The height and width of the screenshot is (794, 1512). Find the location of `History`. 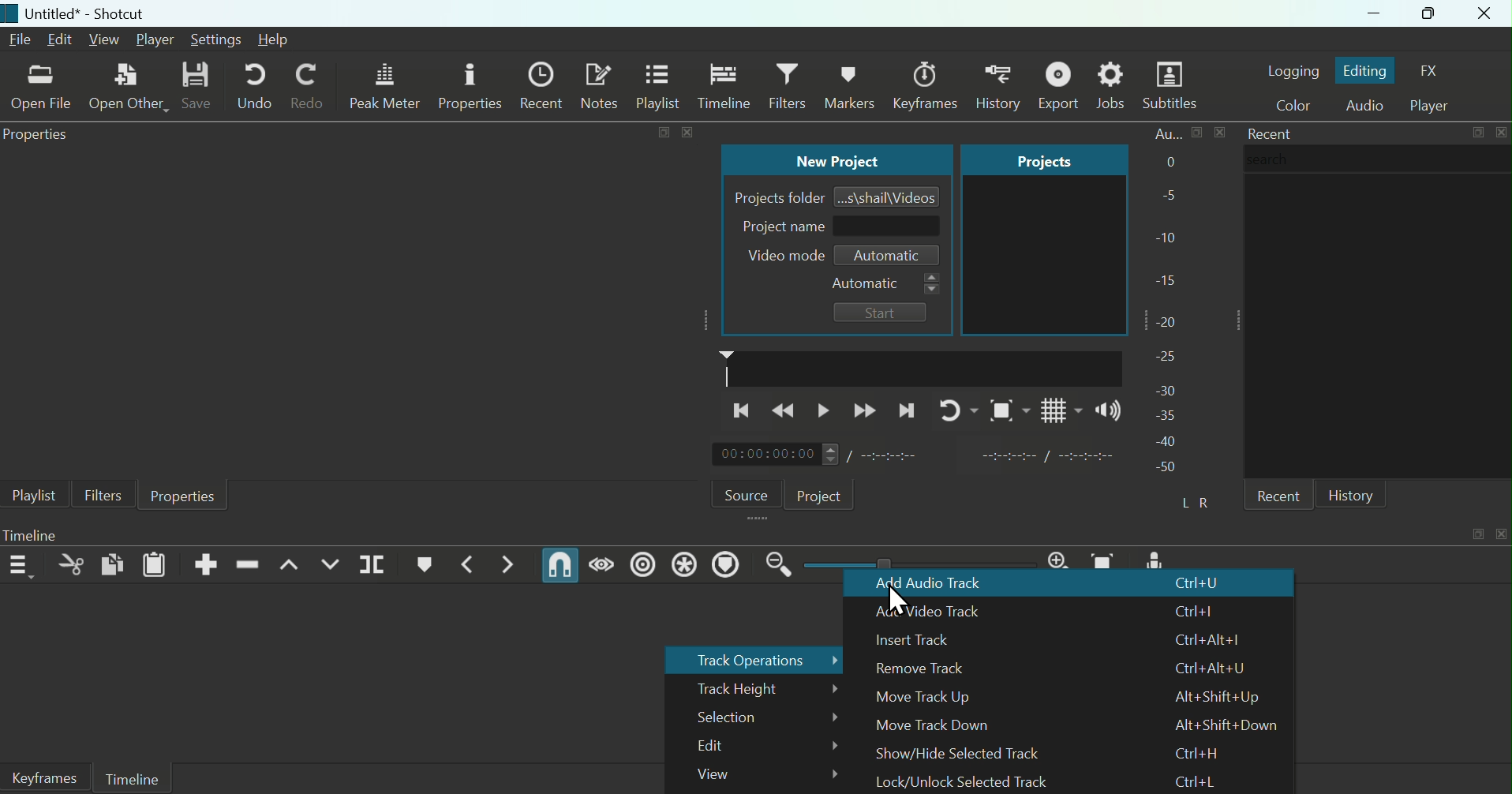

History is located at coordinates (1354, 493).